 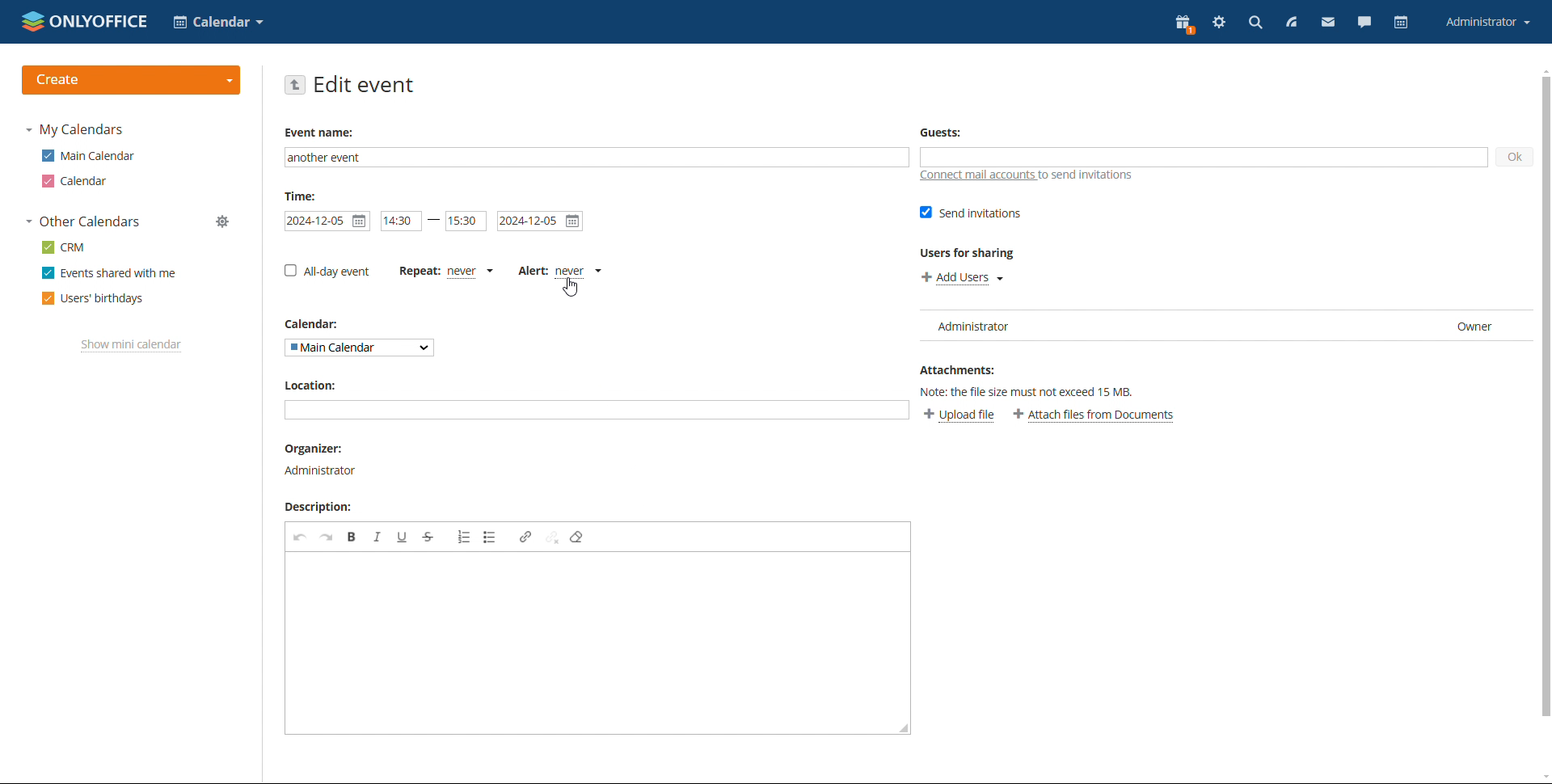 I want to click on undo, so click(x=301, y=537).